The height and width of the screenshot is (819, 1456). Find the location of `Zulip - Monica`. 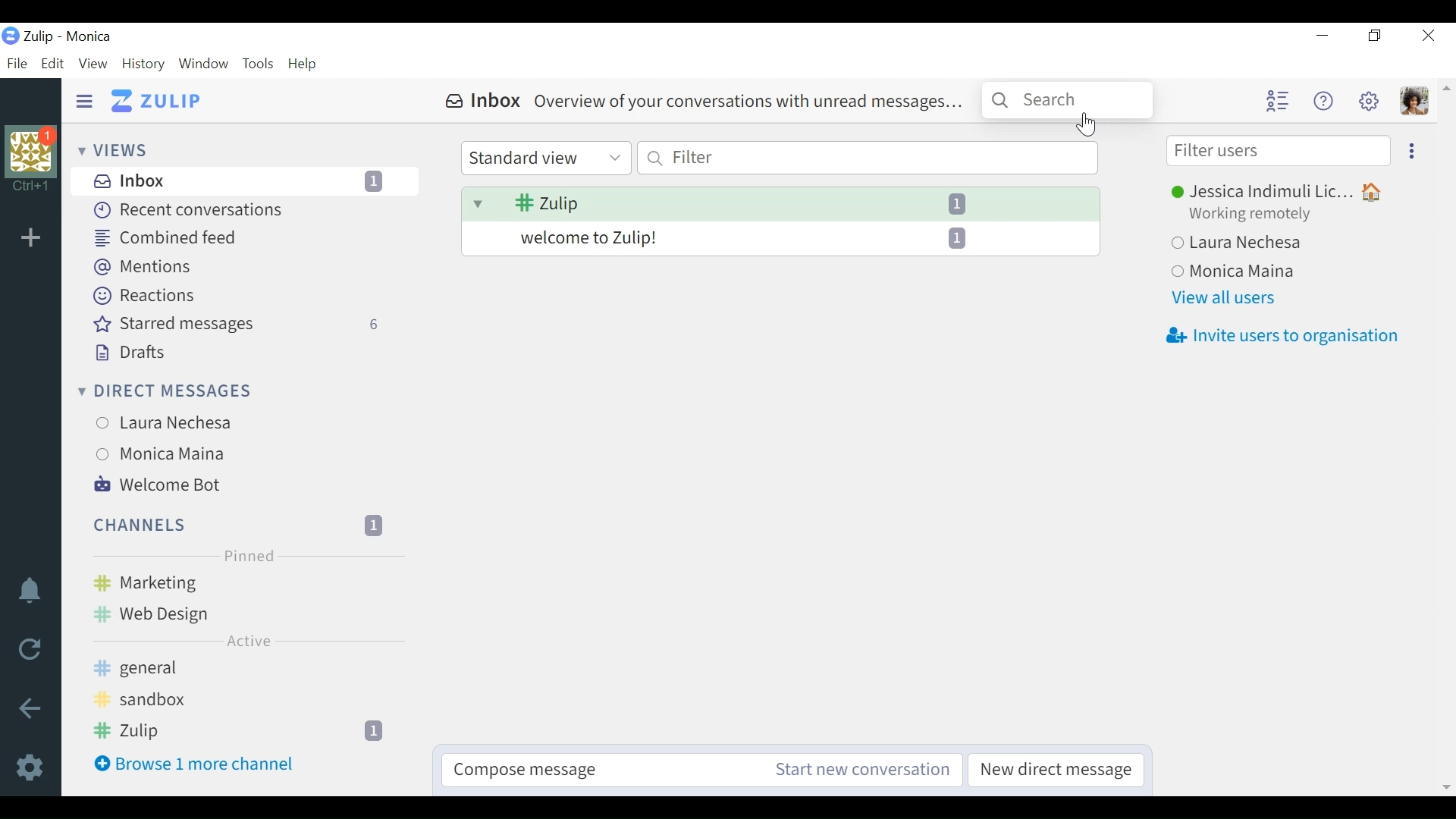

Zulip - Monica is located at coordinates (69, 37).